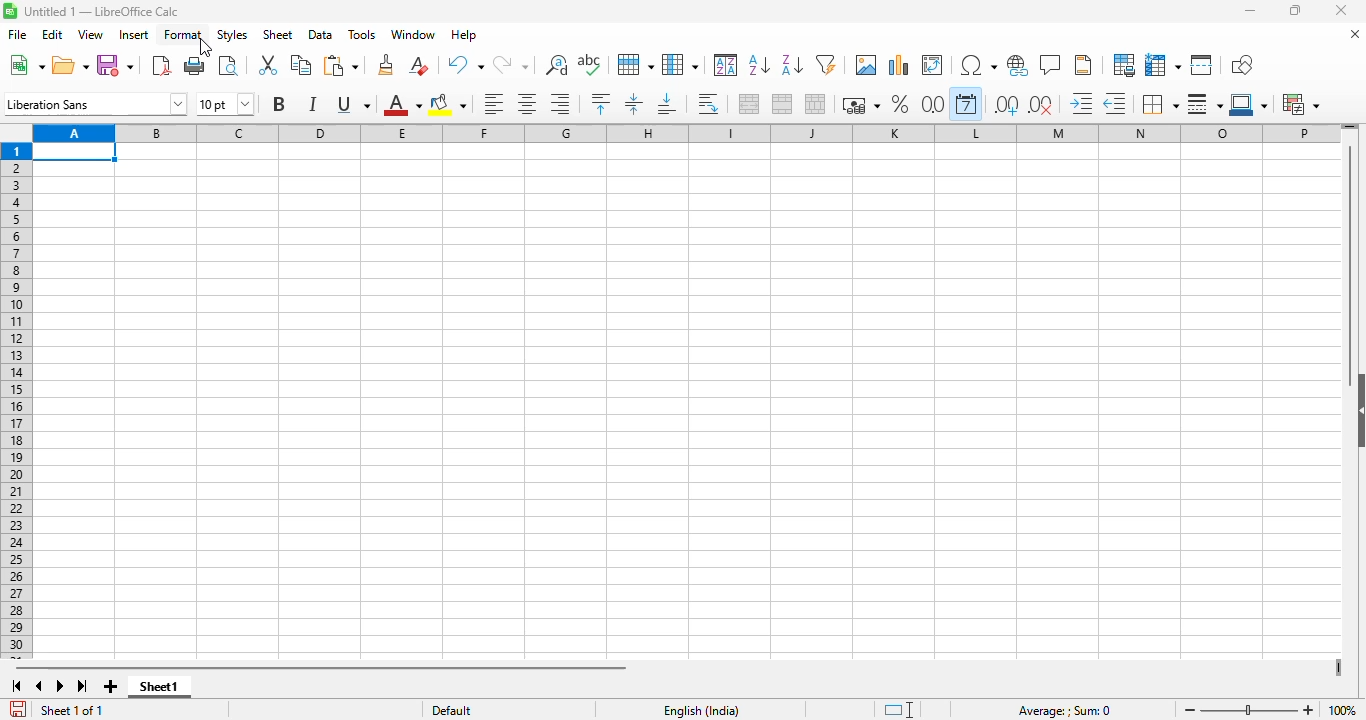  I want to click on insert hyperlink, so click(1019, 65).